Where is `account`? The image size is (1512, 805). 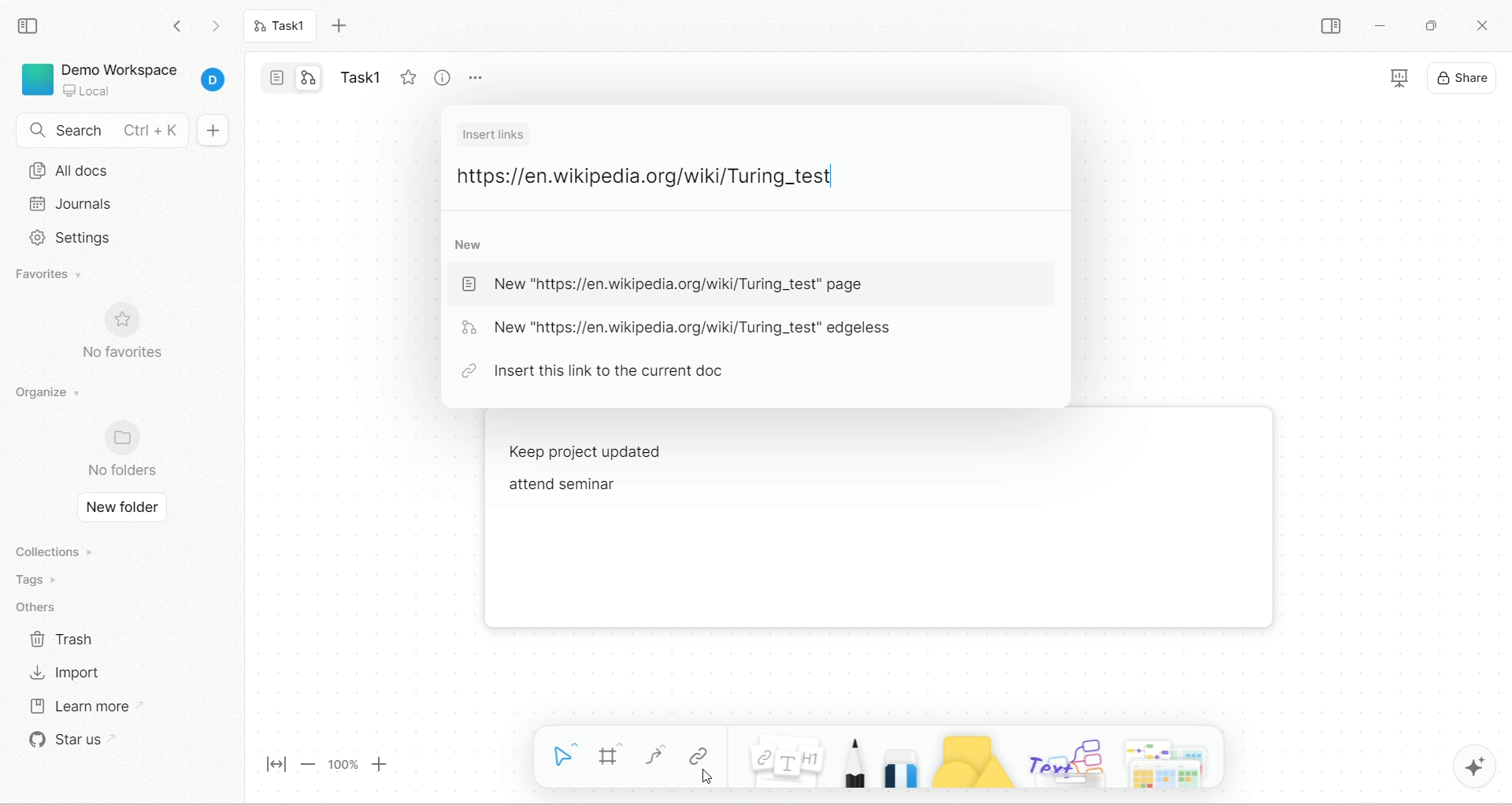
account is located at coordinates (213, 81).